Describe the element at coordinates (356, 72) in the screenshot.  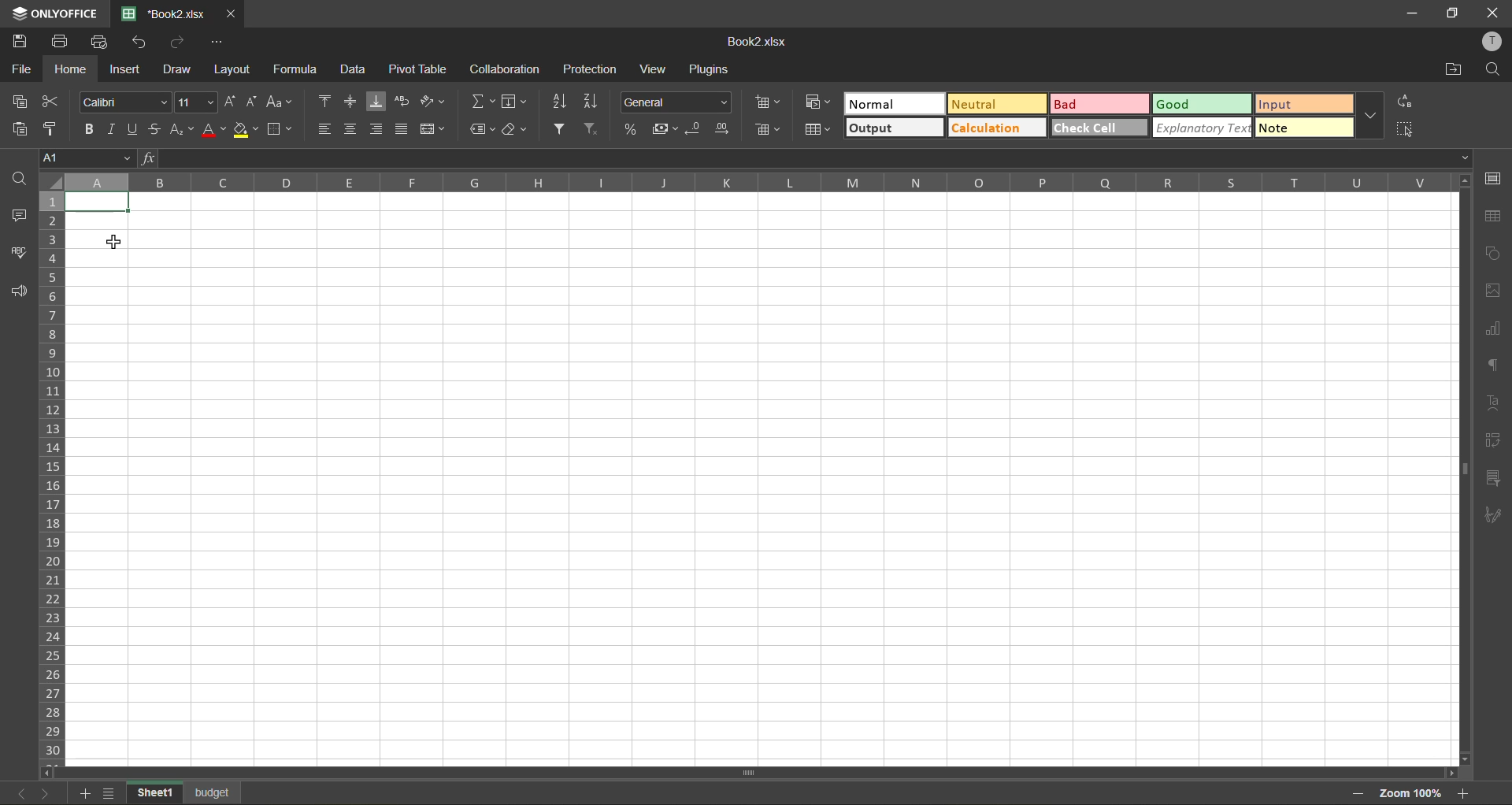
I see `data` at that location.